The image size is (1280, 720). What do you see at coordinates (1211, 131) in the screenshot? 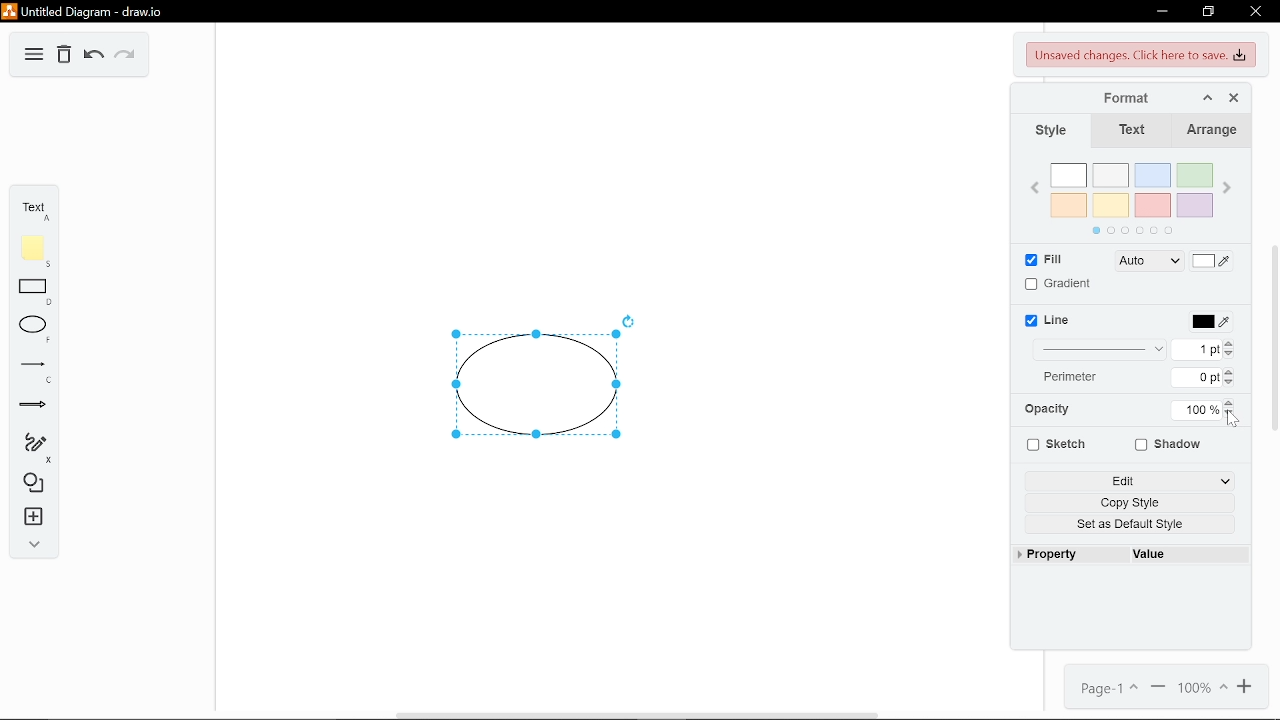
I see `Arrnage` at bounding box center [1211, 131].